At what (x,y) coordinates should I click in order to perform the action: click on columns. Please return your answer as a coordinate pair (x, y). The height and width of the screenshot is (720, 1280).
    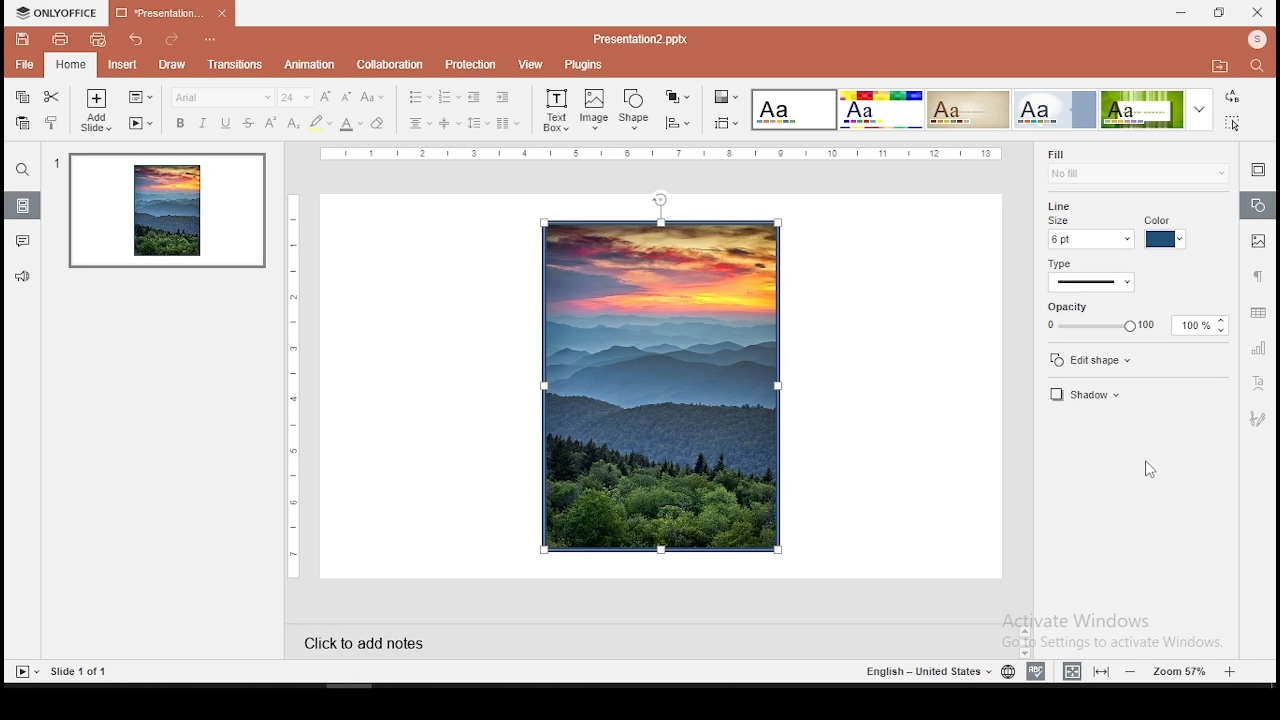
    Looking at the image, I should click on (508, 123).